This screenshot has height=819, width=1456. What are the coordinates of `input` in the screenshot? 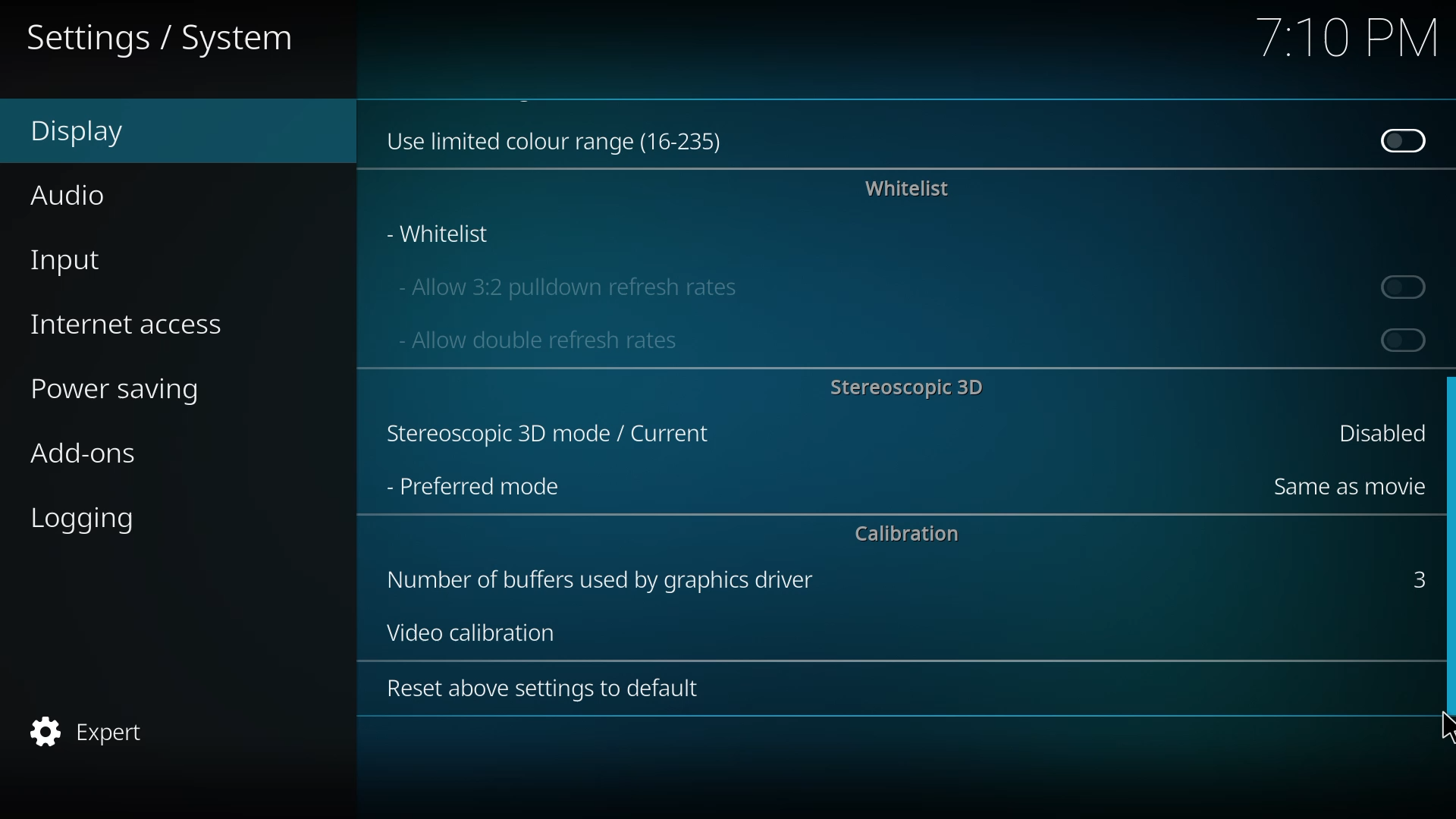 It's located at (74, 259).